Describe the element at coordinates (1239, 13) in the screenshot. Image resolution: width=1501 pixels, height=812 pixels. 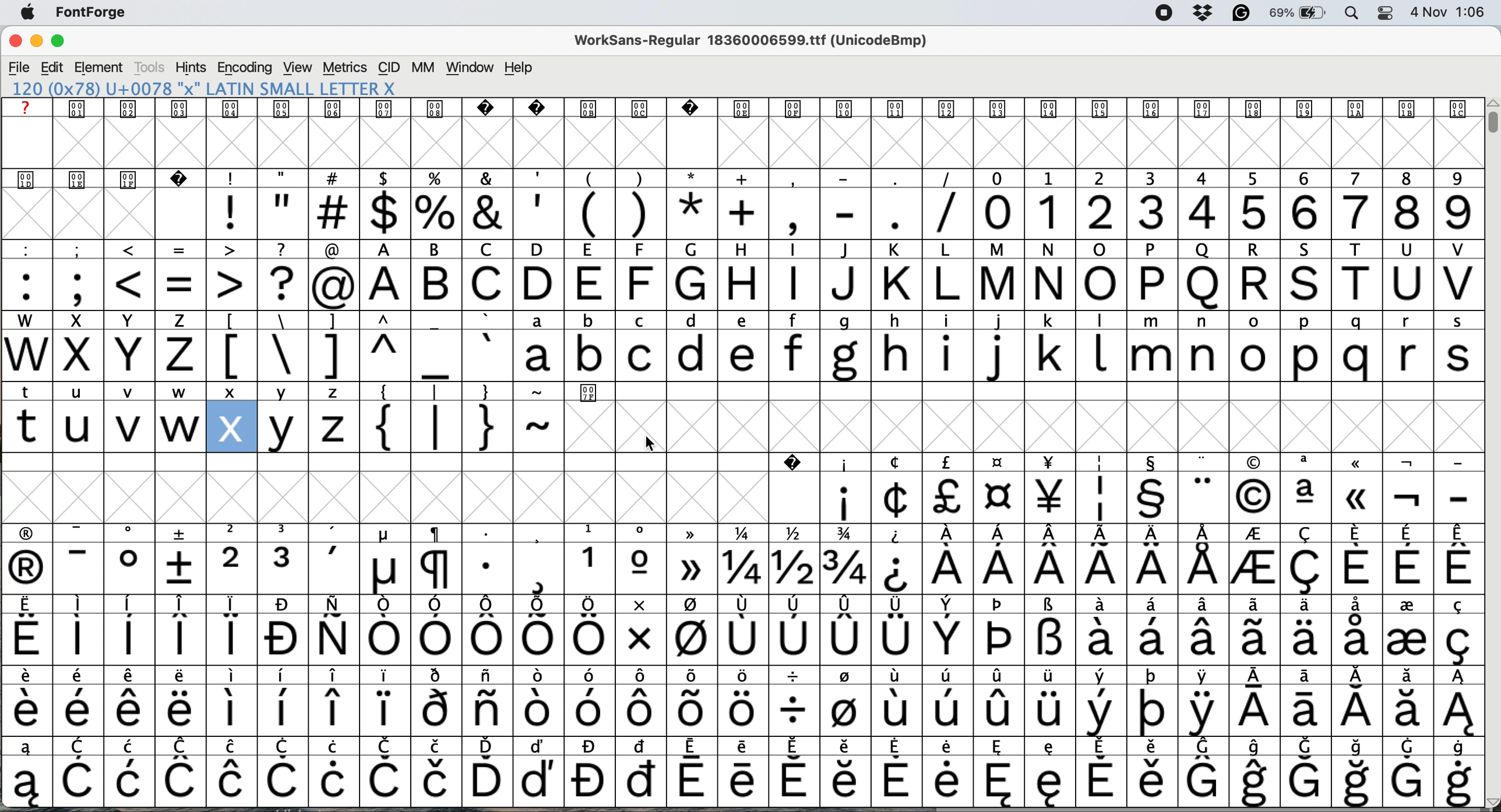
I see `grammarly` at that location.